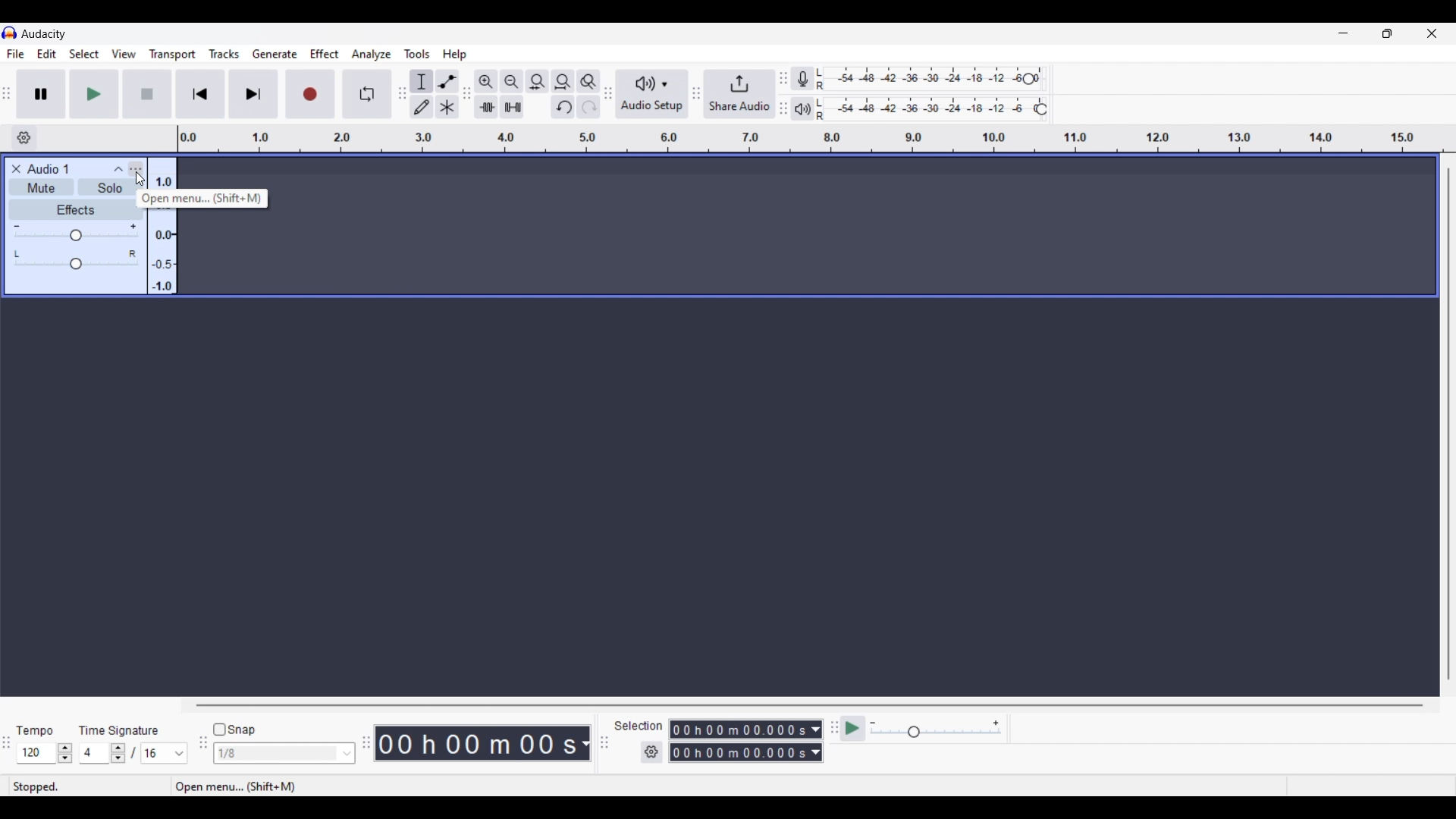 The height and width of the screenshot is (819, 1456). I want to click on Effect menu, so click(325, 54).